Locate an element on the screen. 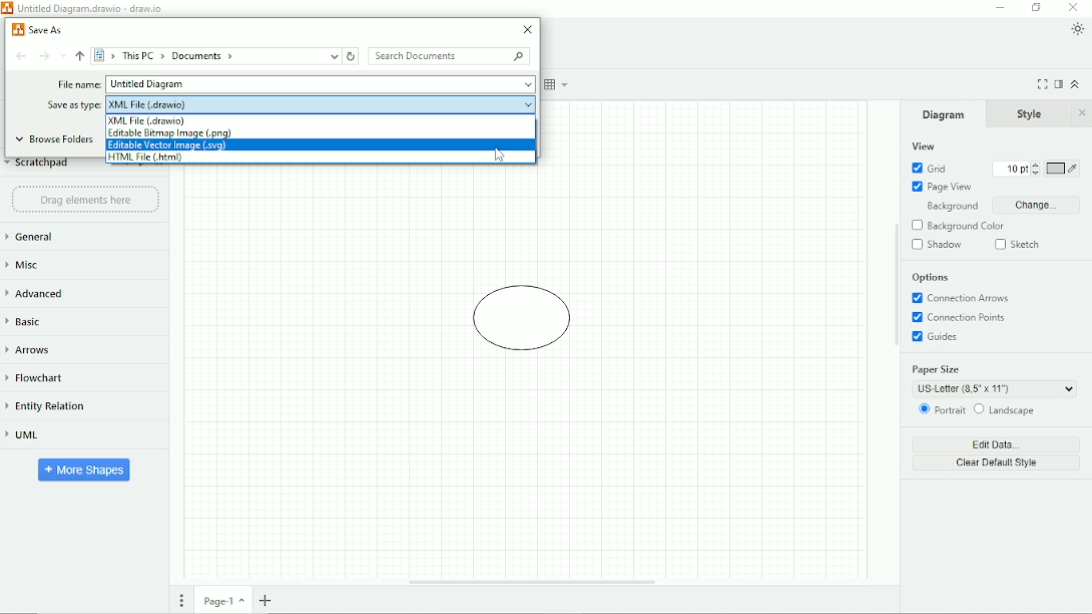 Image resolution: width=1092 pixels, height=614 pixels. Connection Points is located at coordinates (963, 317).